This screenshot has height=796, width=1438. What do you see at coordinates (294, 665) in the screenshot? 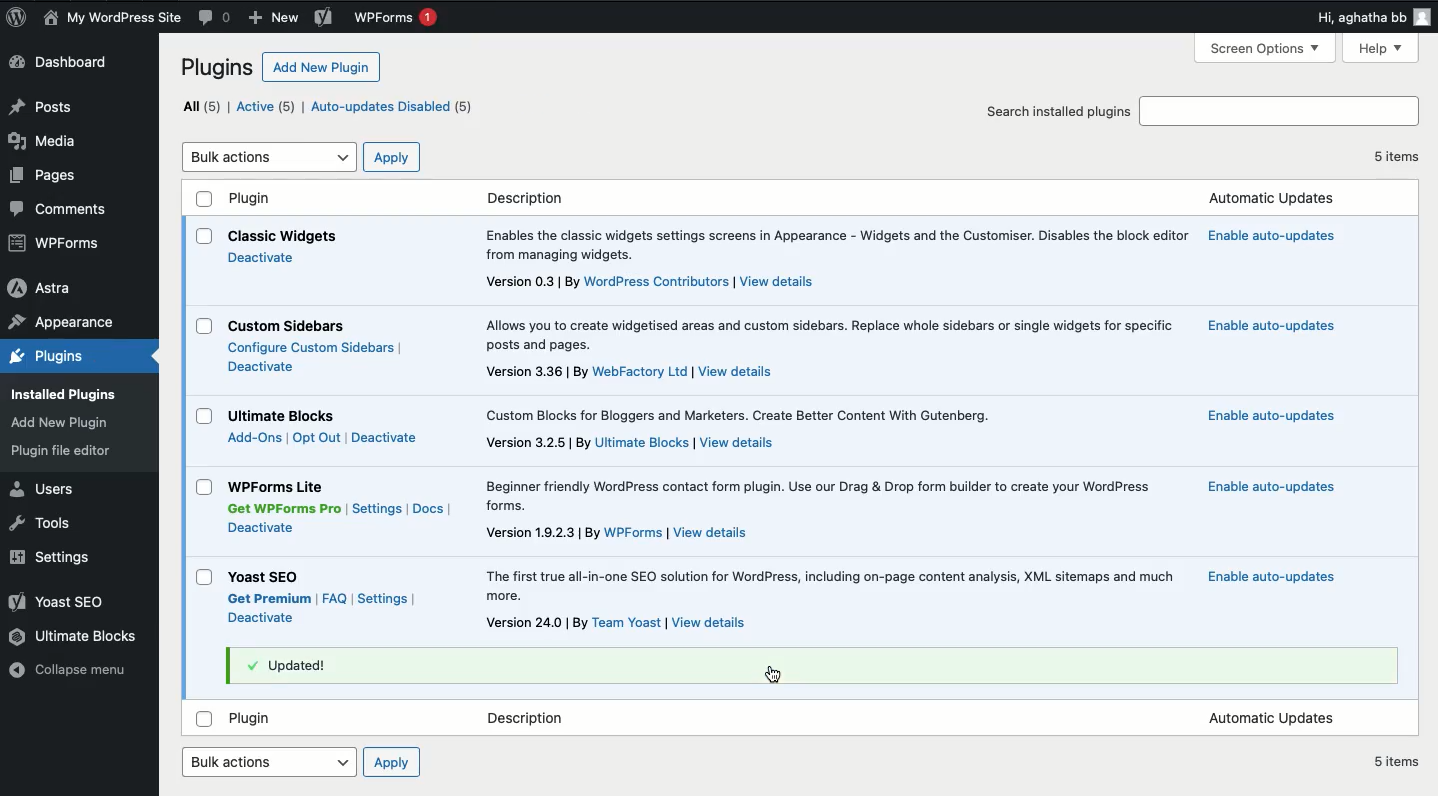
I see `Updated` at bounding box center [294, 665].